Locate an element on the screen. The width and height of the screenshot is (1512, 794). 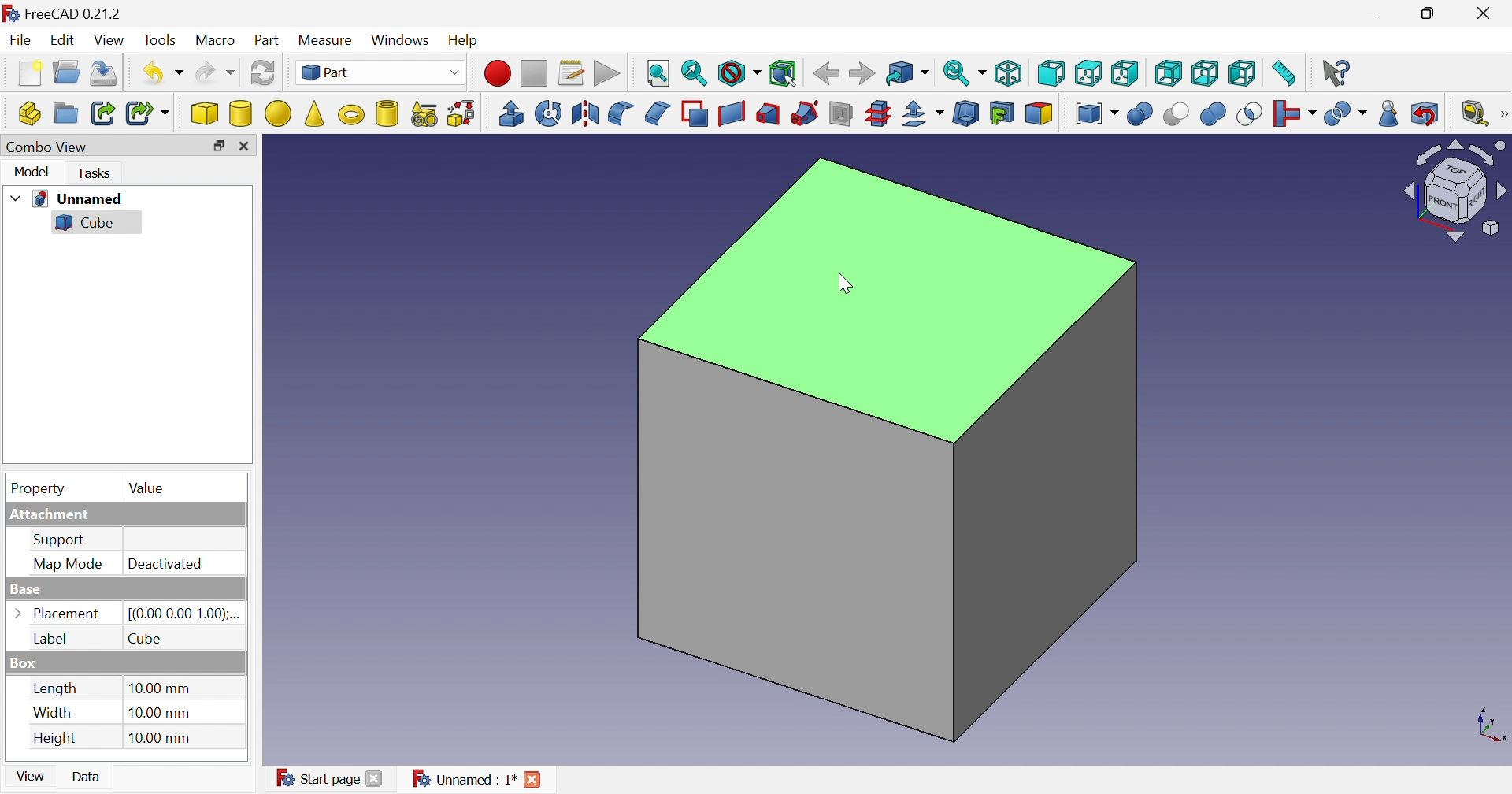
Section is located at coordinates (839, 113).